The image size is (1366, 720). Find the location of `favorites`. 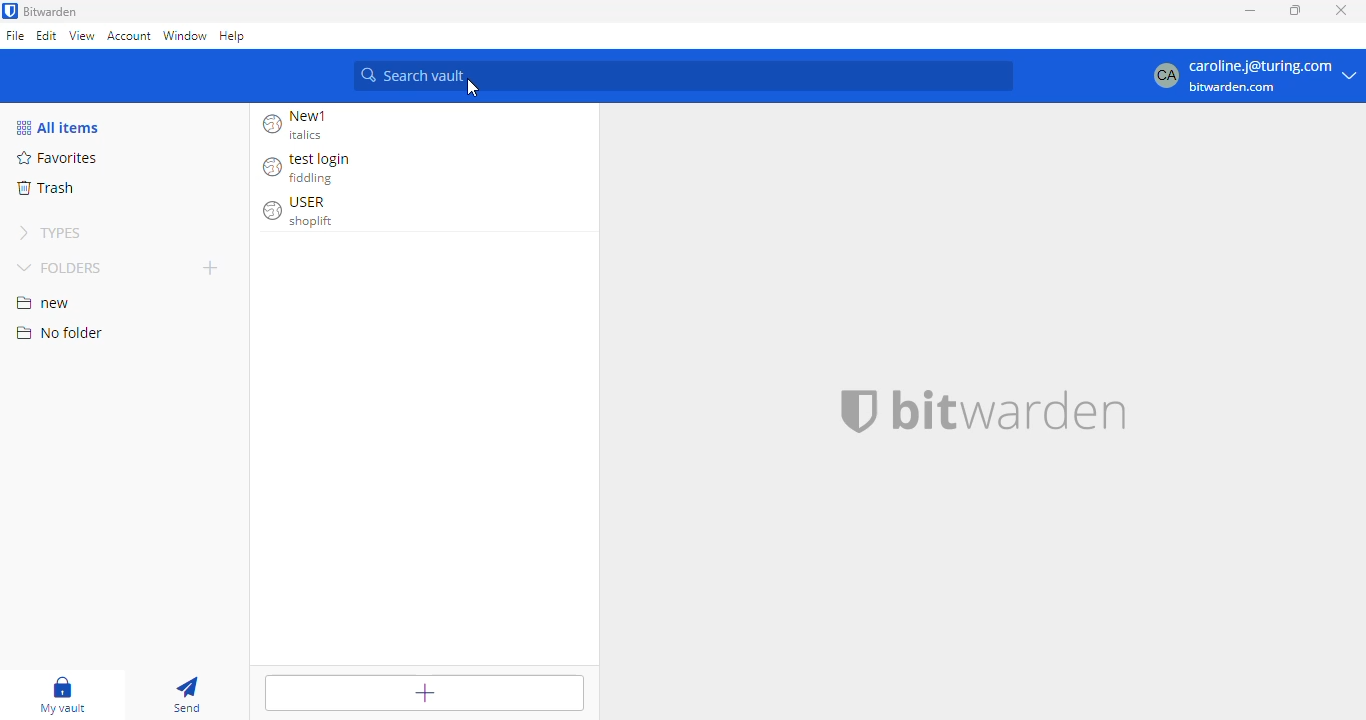

favorites is located at coordinates (59, 157).